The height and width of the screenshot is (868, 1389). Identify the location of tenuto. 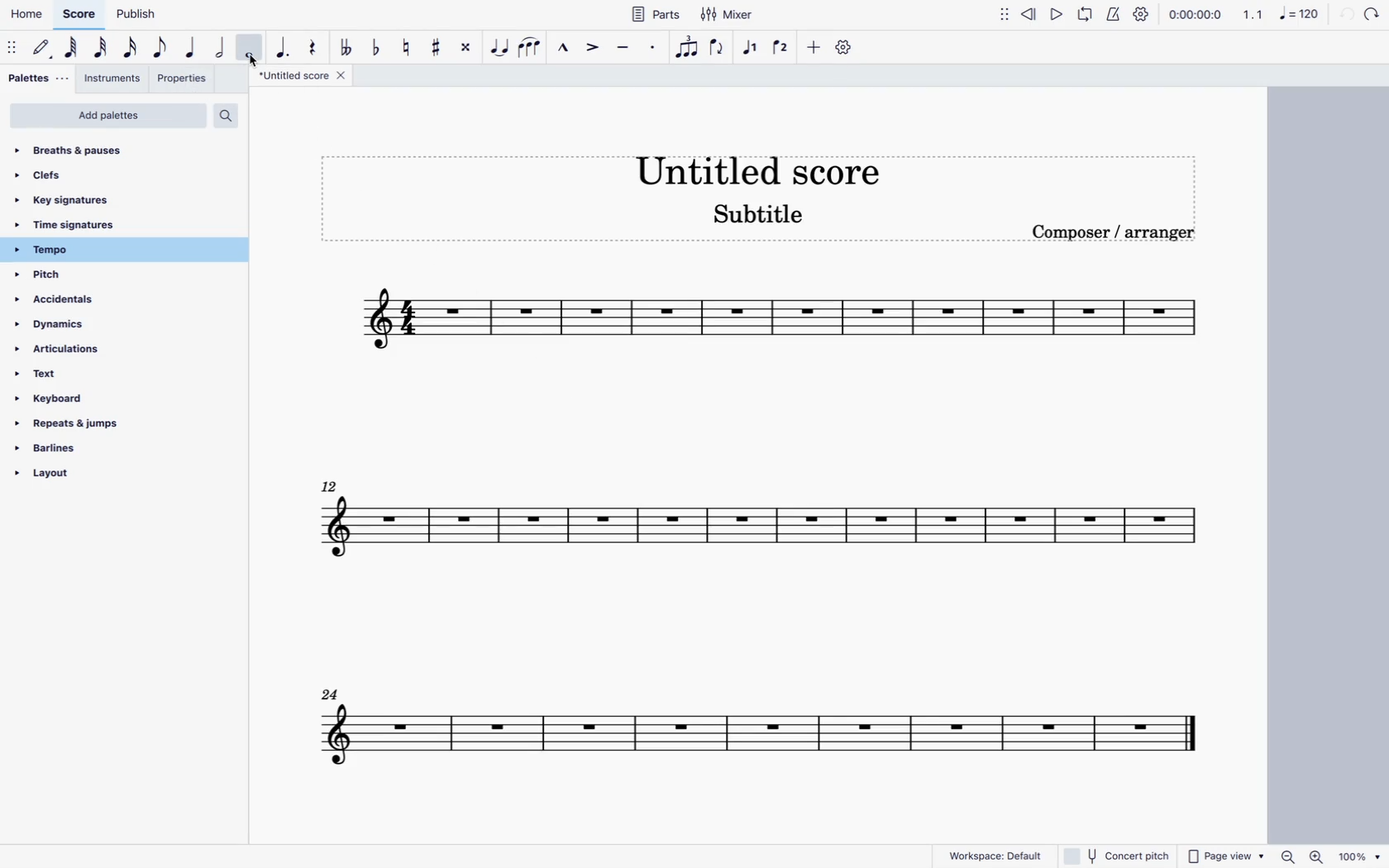
(623, 48).